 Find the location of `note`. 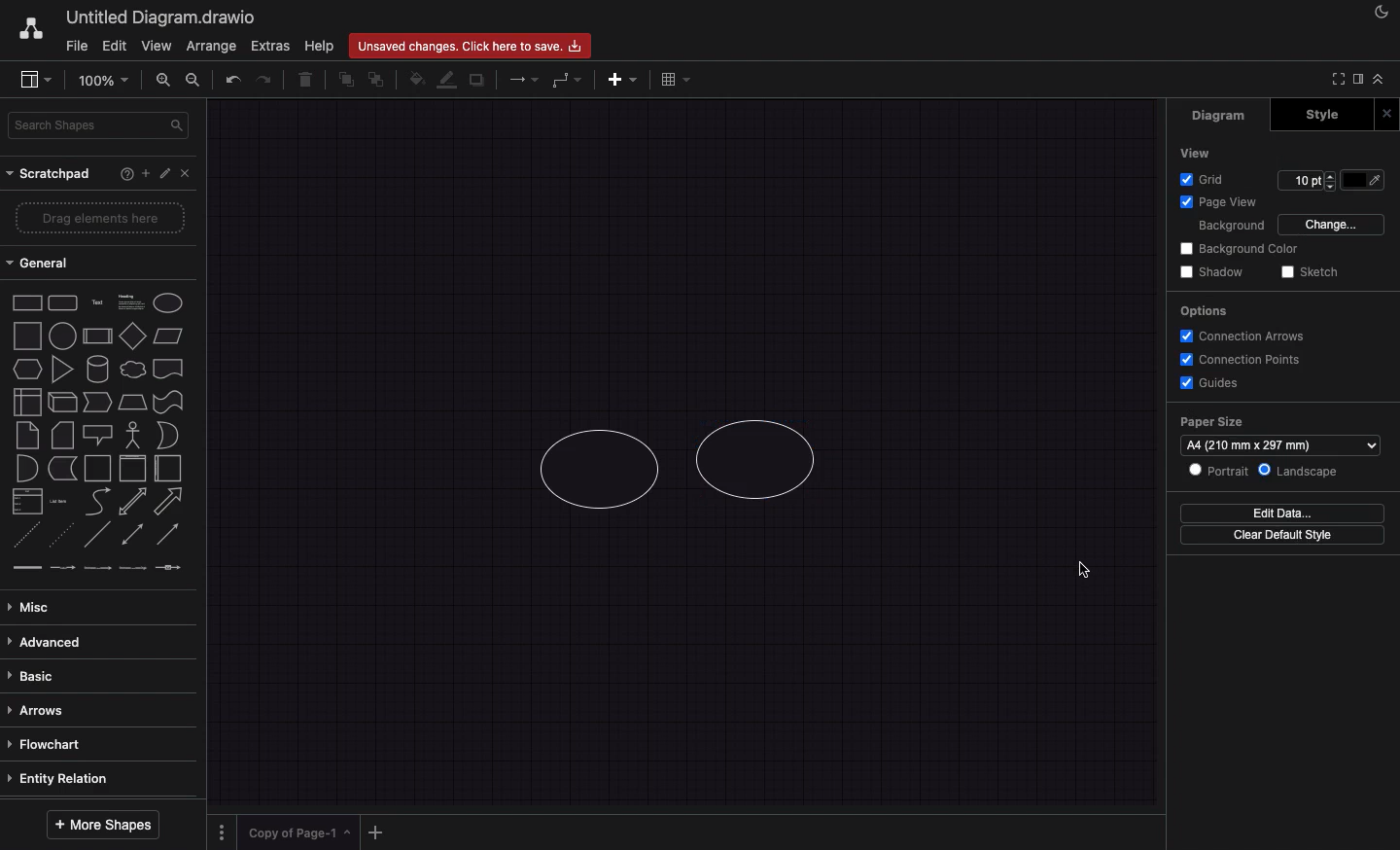

note is located at coordinates (29, 435).